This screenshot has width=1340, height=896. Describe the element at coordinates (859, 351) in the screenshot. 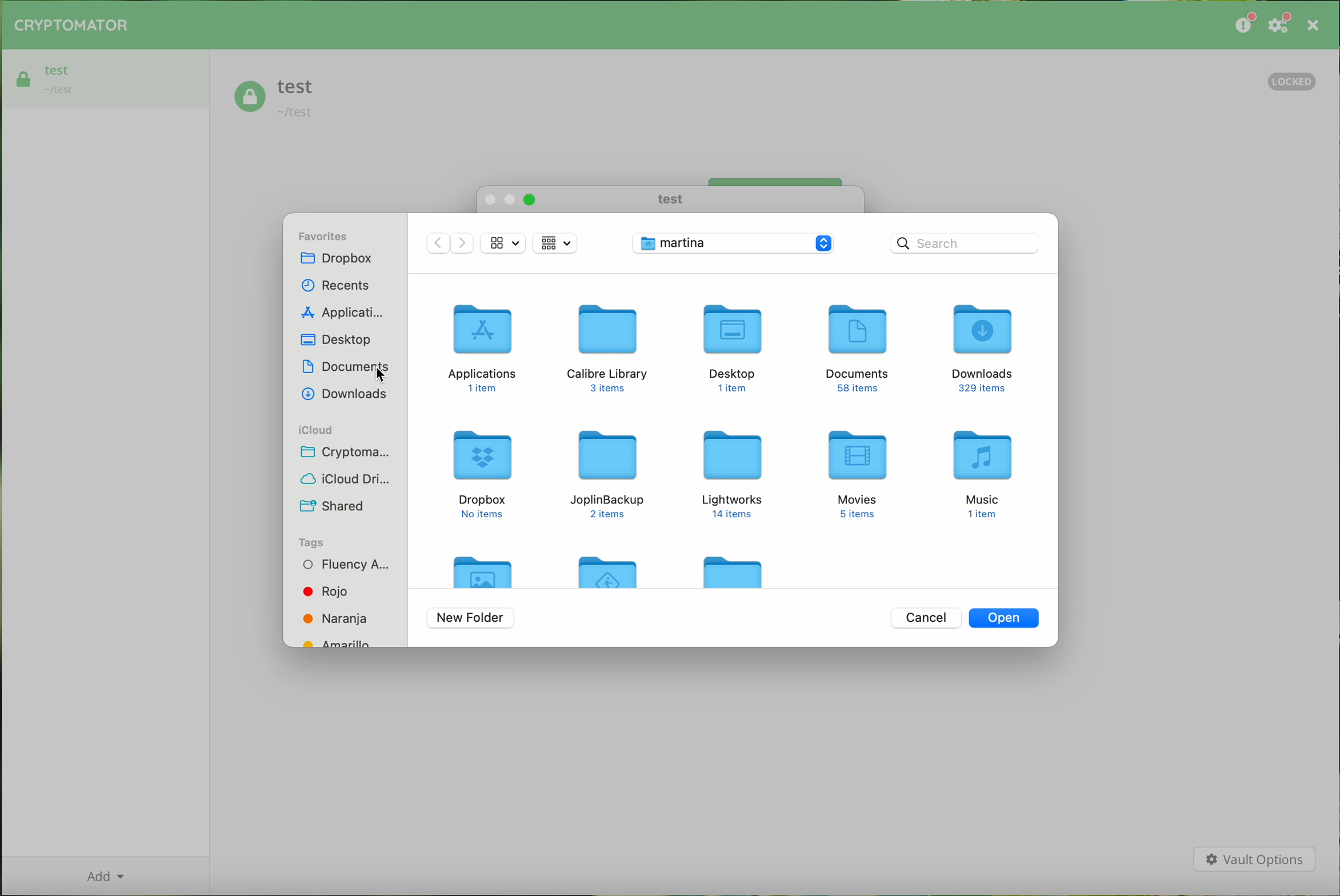

I see `documents` at that location.